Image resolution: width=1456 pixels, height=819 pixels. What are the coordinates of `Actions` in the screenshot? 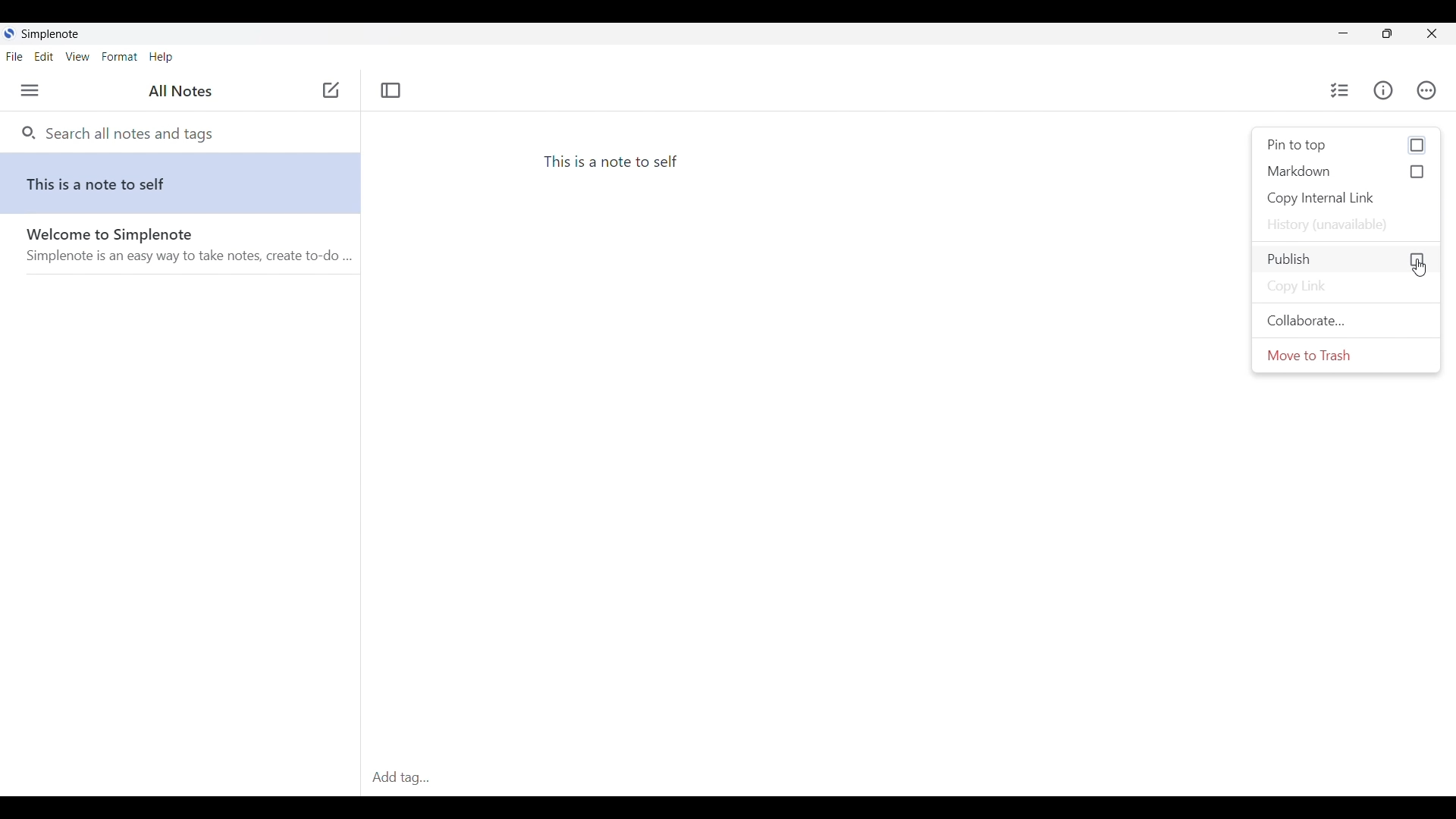 It's located at (1426, 90).